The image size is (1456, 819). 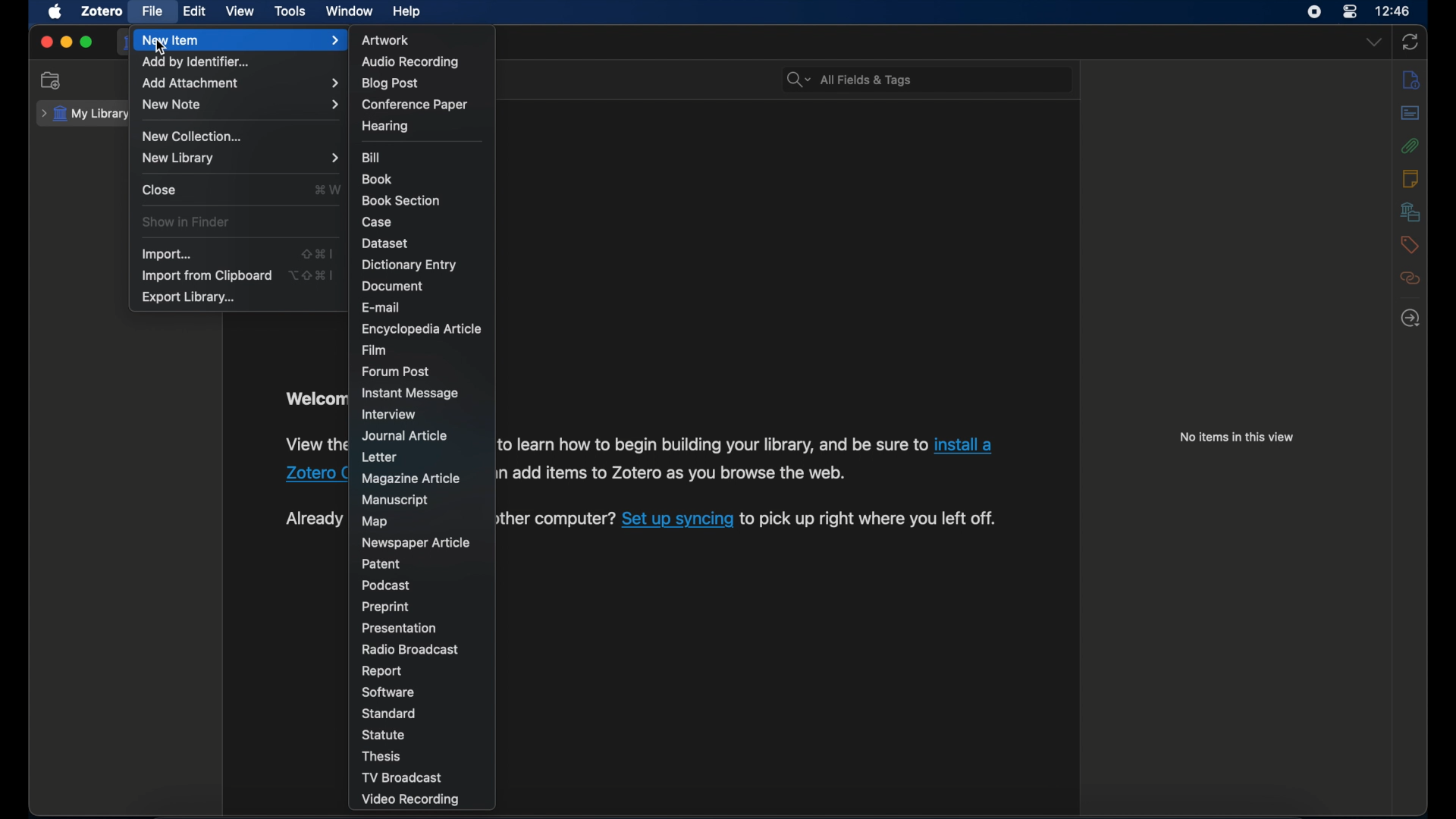 I want to click on forum post, so click(x=396, y=371).